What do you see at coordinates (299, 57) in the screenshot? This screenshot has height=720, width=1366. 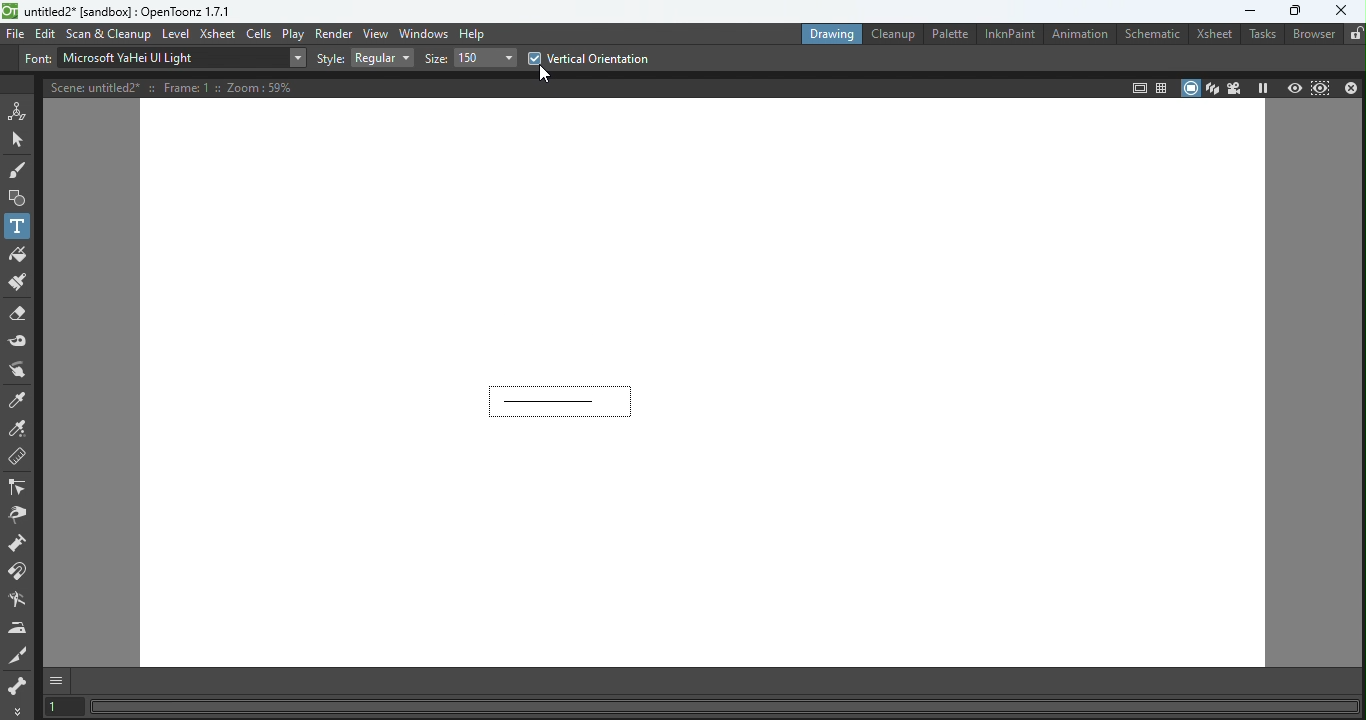 I see `Drop down` at bounding box center [299, 57].